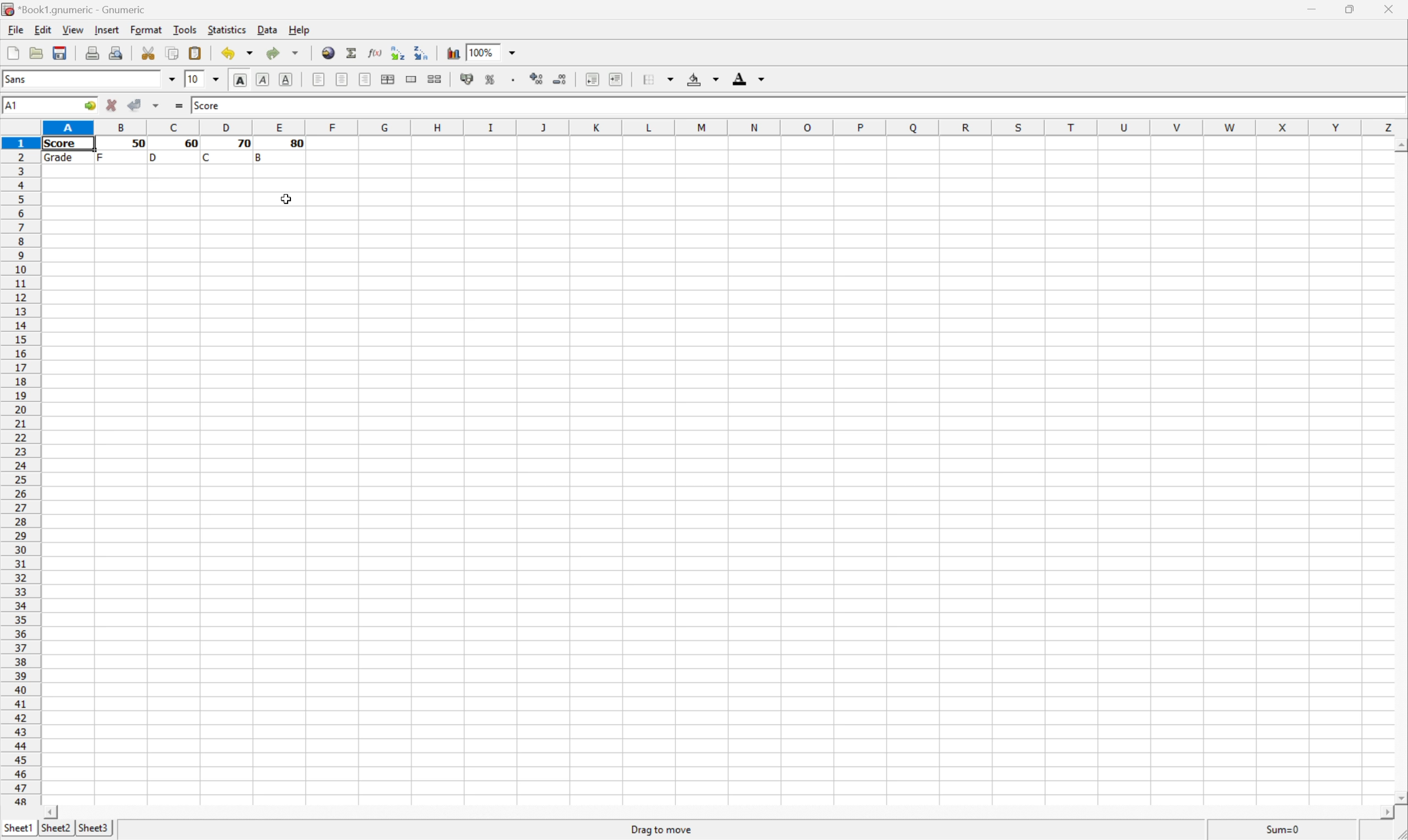  I want to click on Paste the clipboard, so click(199, 53).